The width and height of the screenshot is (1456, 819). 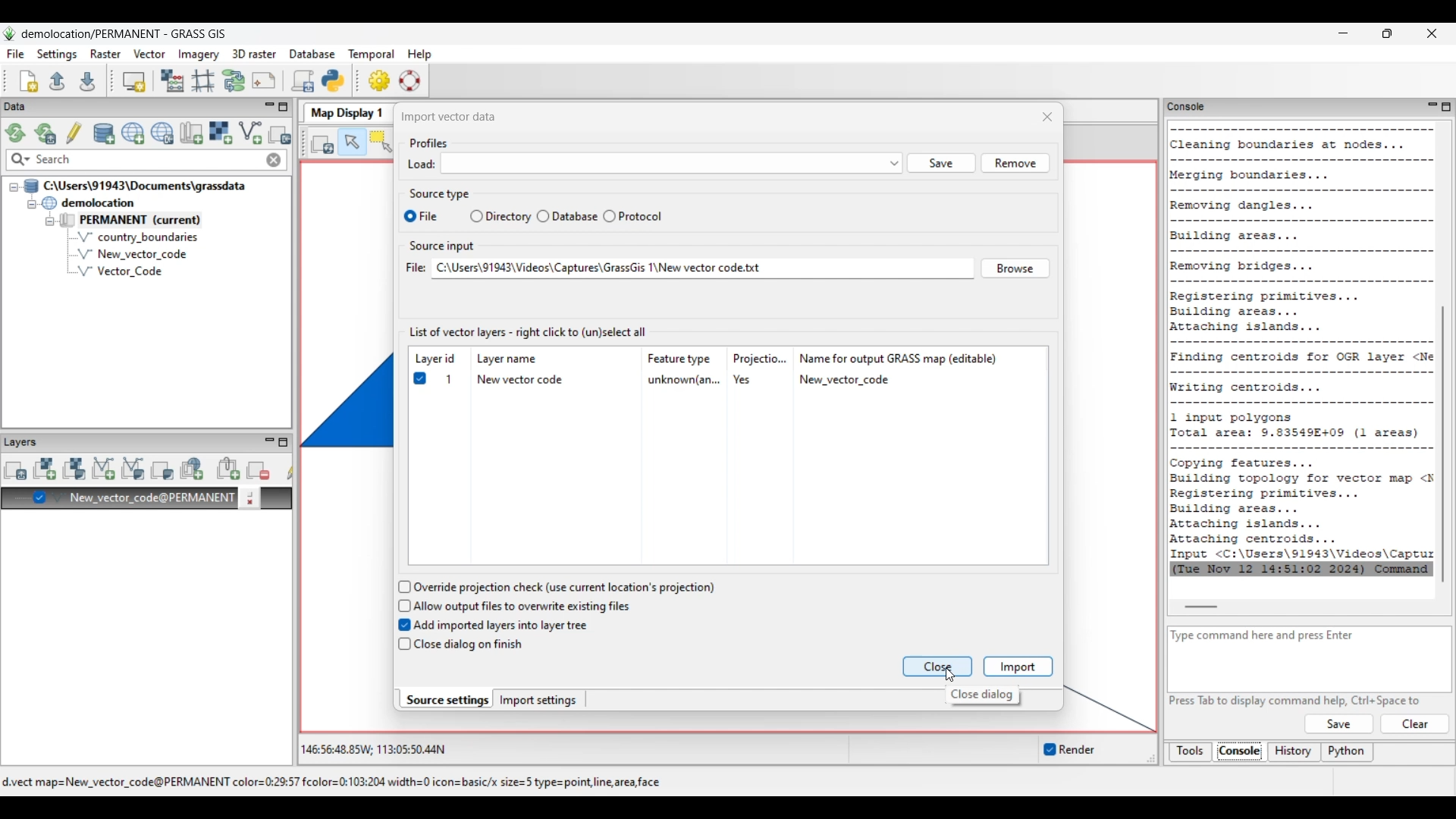 I want to click on close, so click(x=1037, y=117).